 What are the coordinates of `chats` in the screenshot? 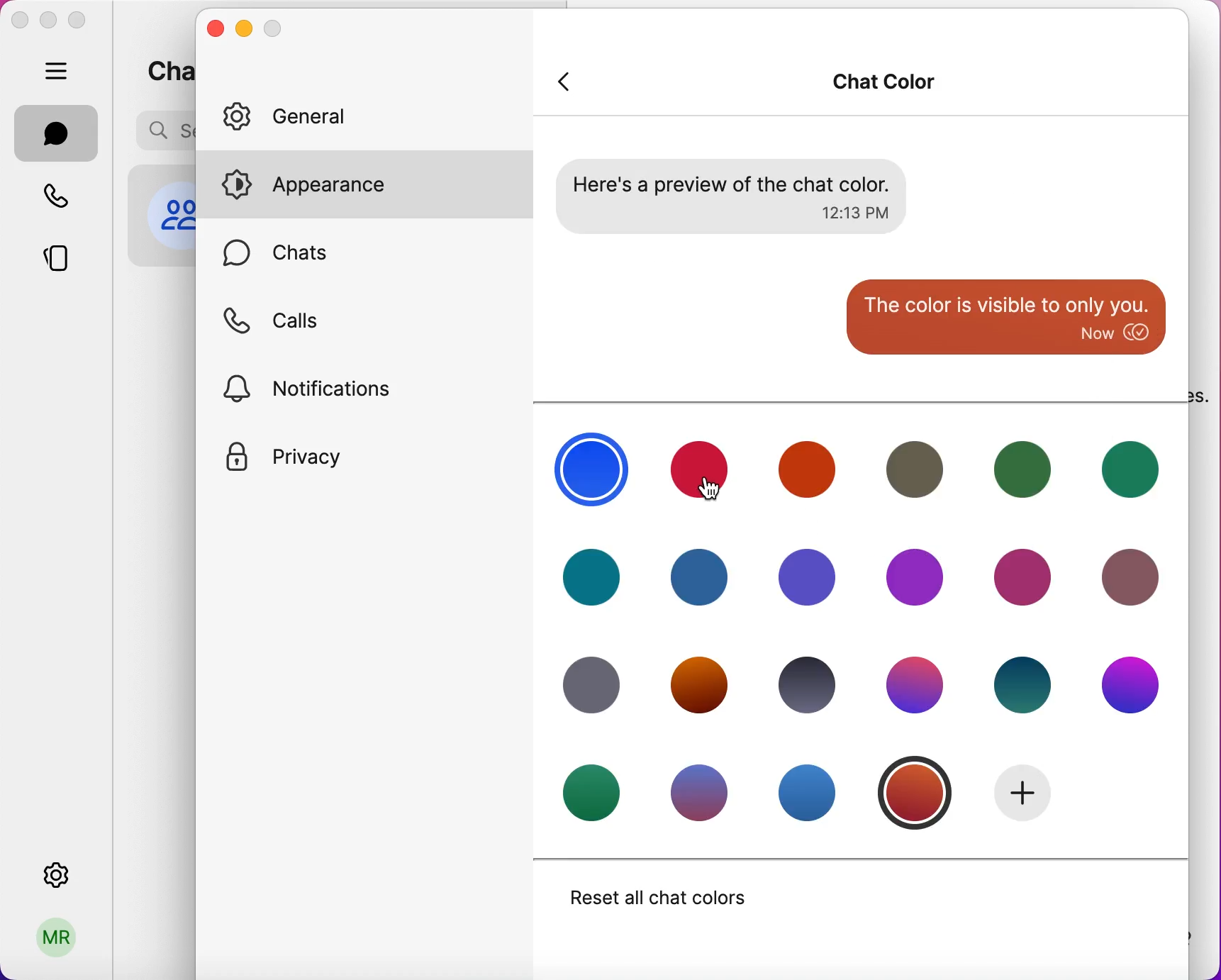 It's located at (165, 68).